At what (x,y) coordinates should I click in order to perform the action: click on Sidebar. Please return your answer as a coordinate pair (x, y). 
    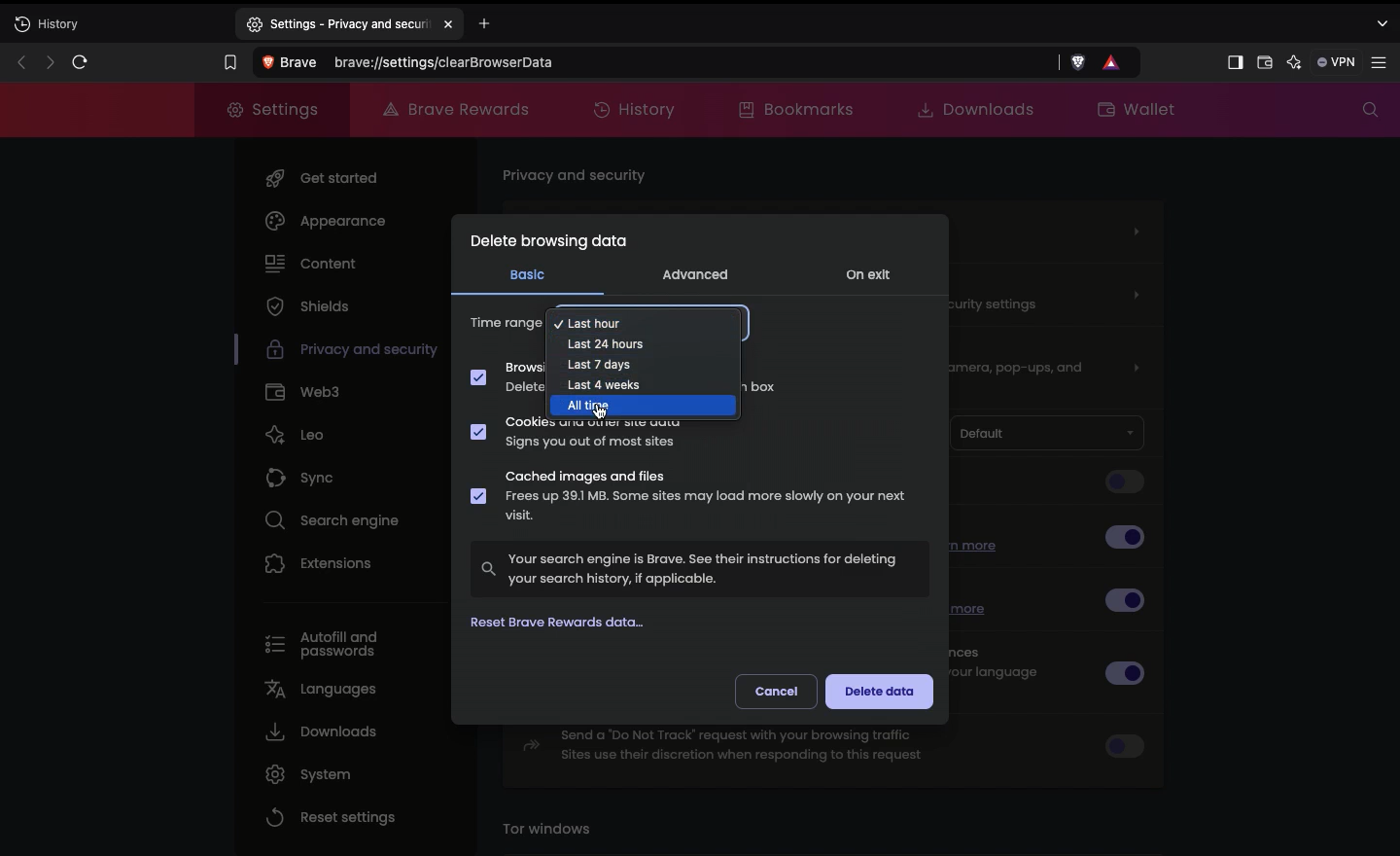
    Looking at the image, I should click on (1233, 62).